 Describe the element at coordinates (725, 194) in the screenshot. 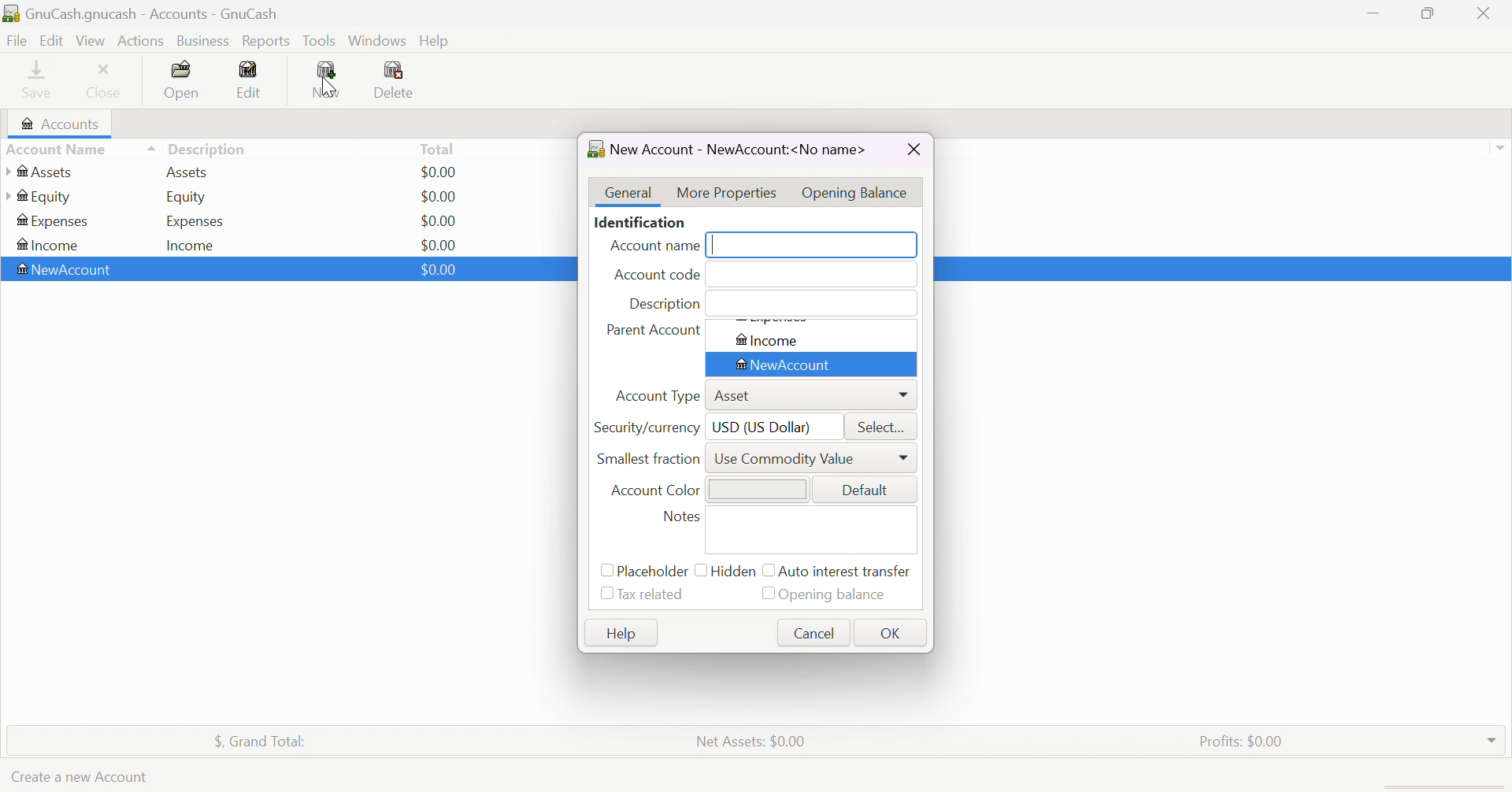

I see `More Properties` at that location.